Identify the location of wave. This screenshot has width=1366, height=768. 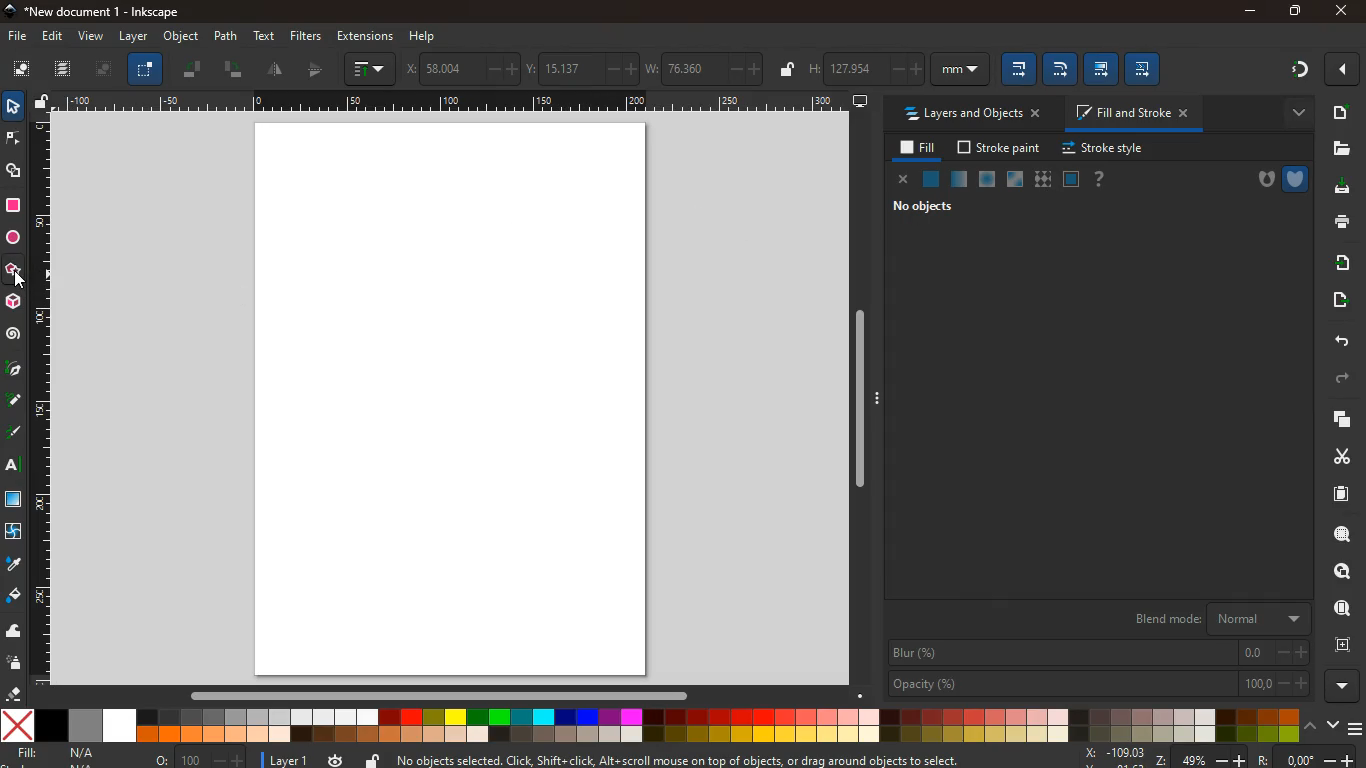
(15, 633).